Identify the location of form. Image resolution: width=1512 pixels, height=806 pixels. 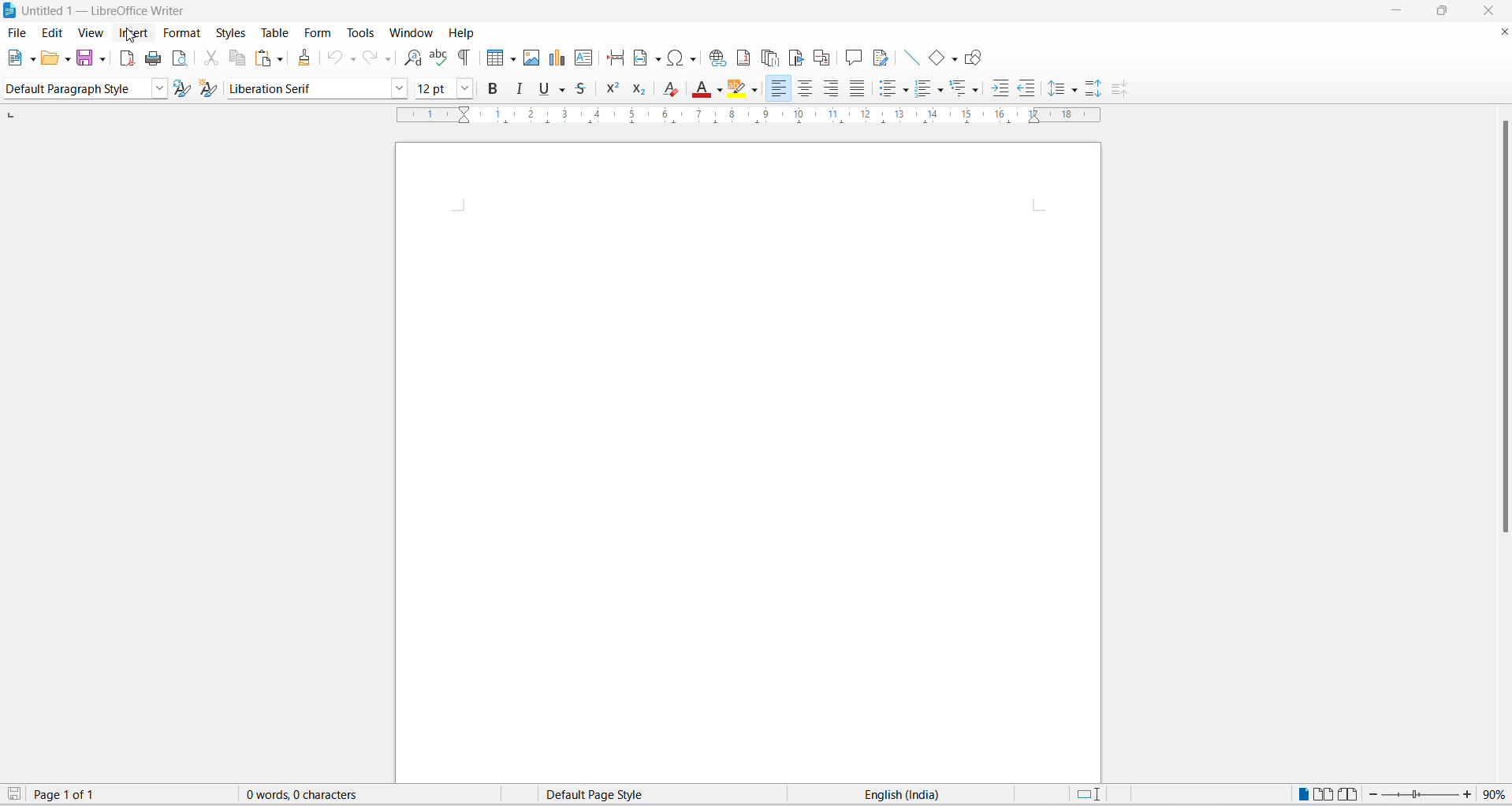
(317, 33).